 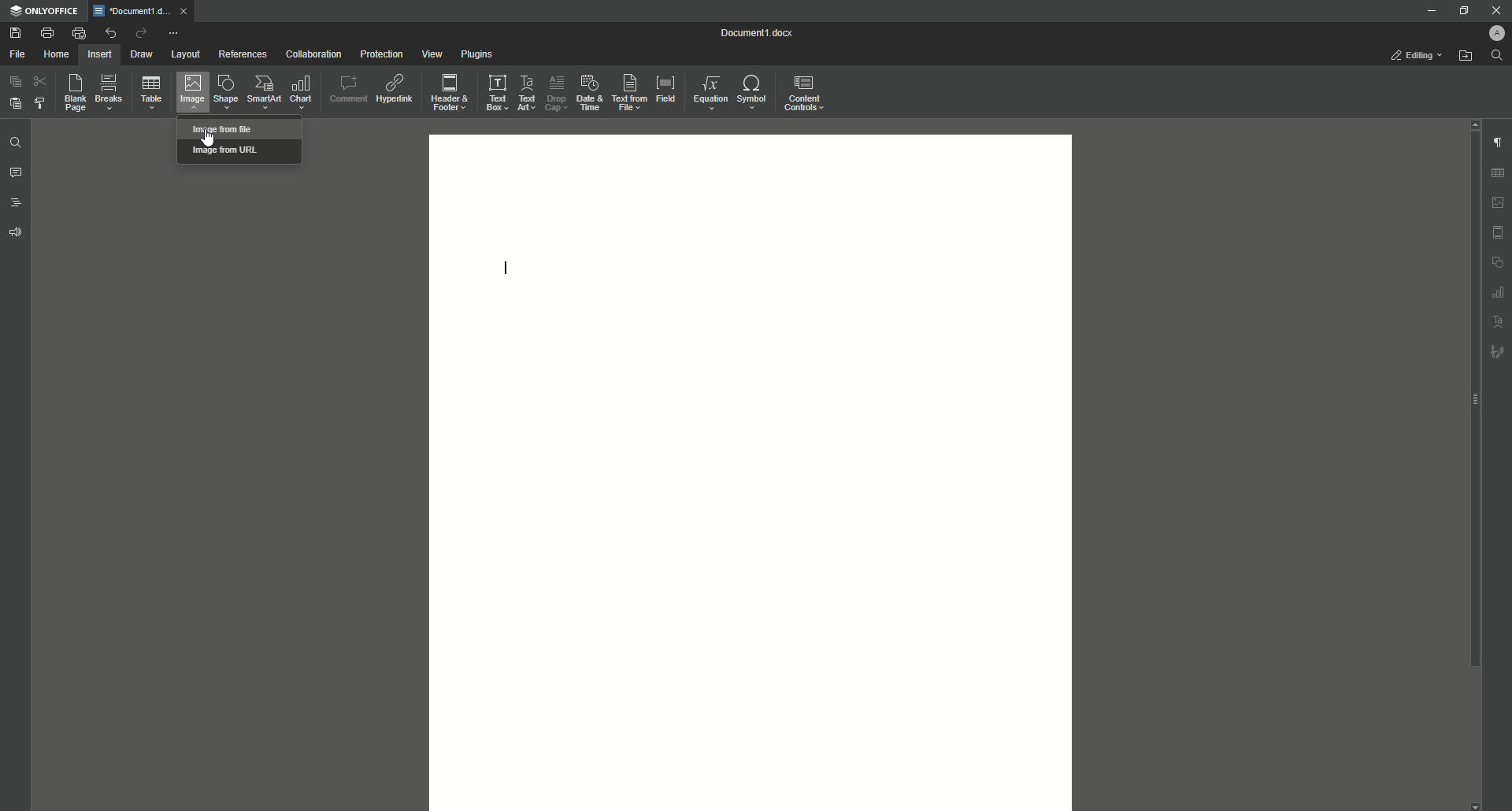 What do you see at coordinates (751, 92) in the screenshot?
I see `Symbol` at bounding box center [751, 92].